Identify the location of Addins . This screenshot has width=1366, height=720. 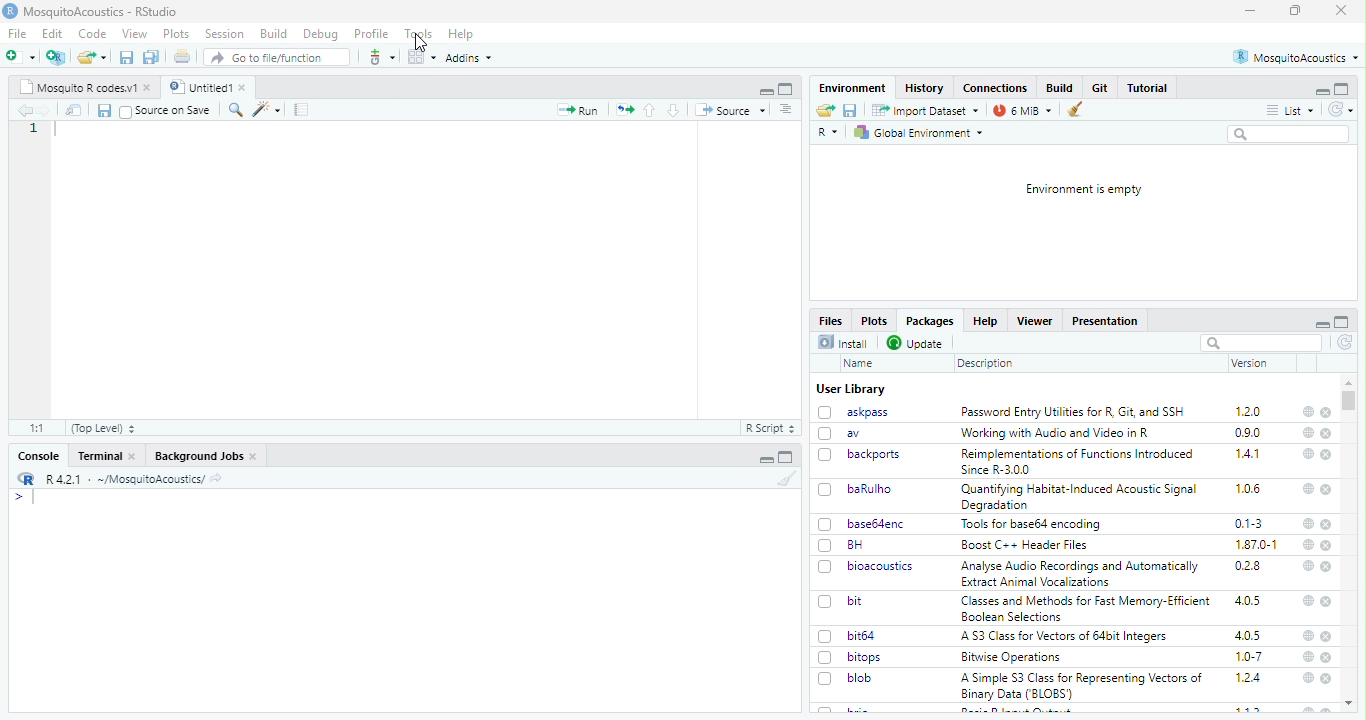
(468, 58).